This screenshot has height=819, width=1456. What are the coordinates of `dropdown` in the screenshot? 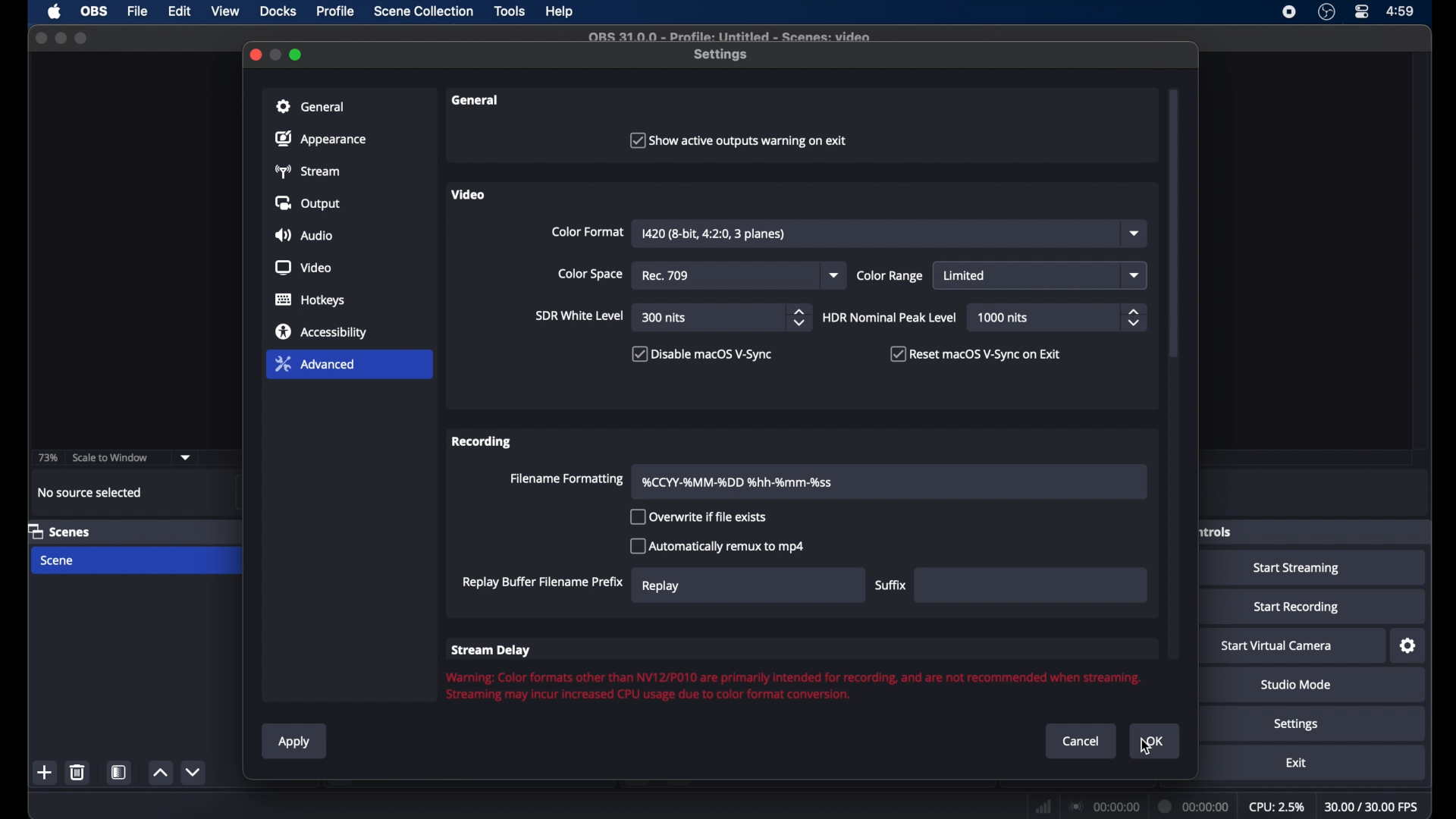 It's located at (186, 457).